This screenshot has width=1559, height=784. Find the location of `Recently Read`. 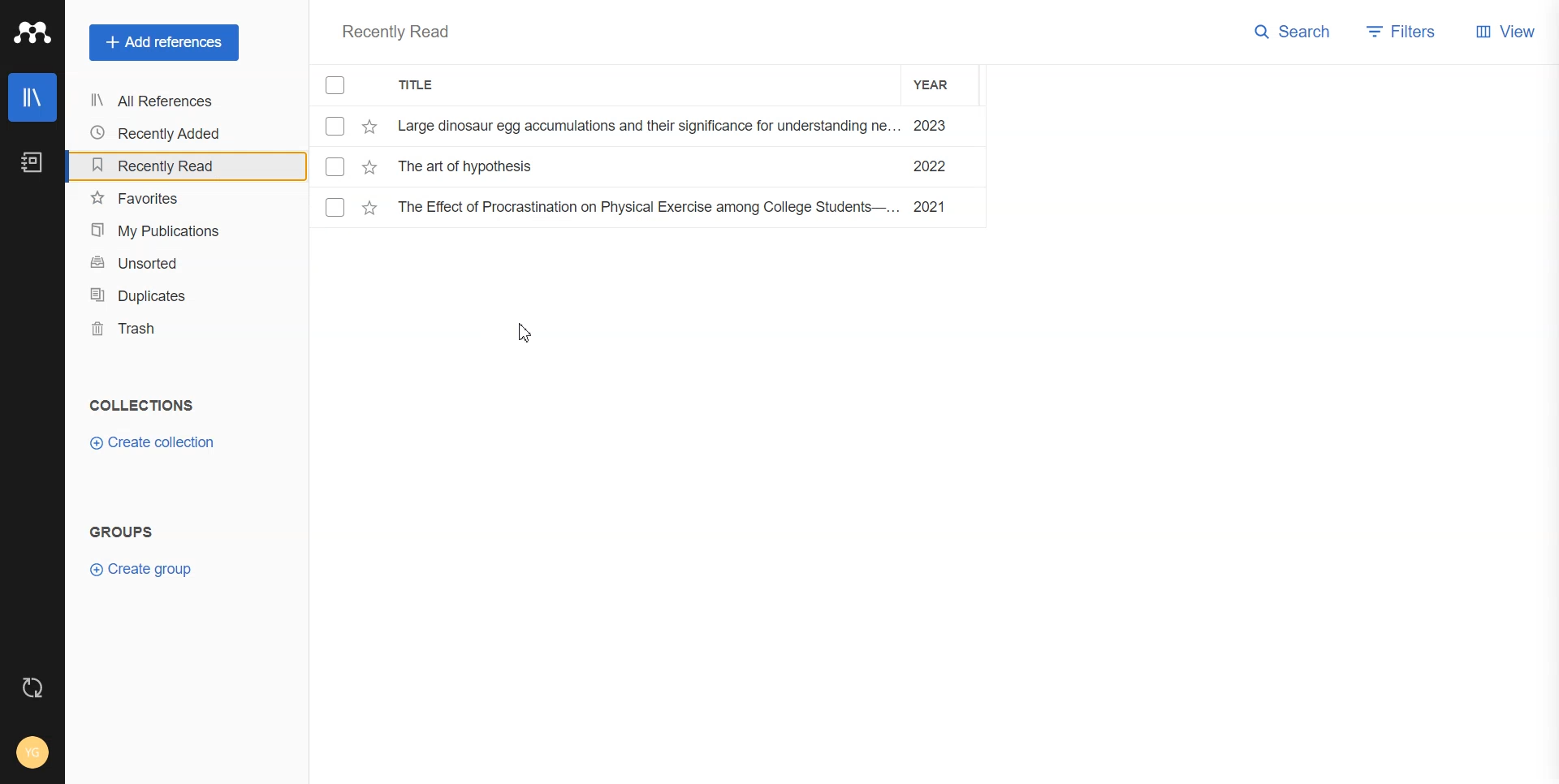

Recently Read is located at coordinates (398, 32).